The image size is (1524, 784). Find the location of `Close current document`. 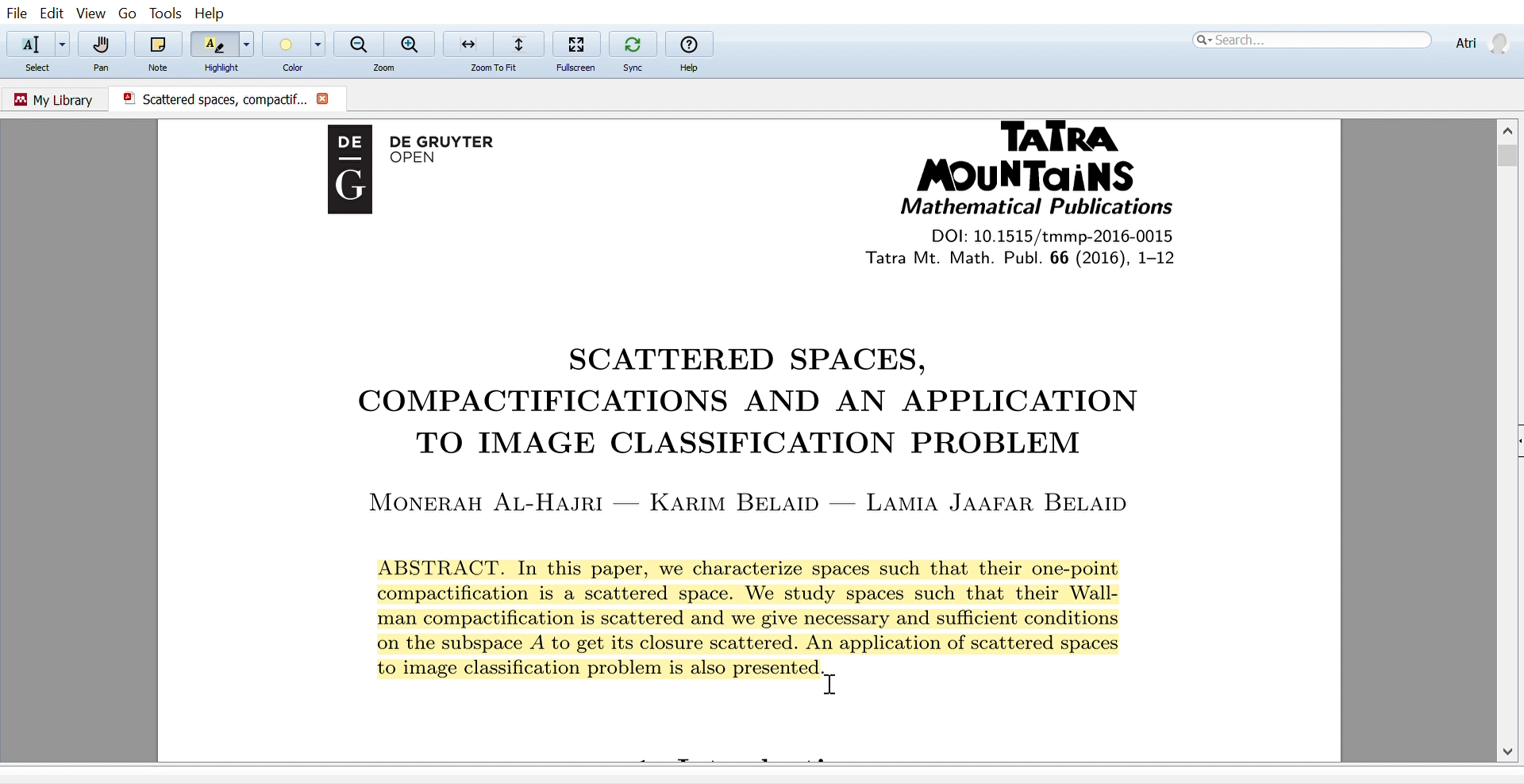

Close current document is located at coordinates (324, 100).